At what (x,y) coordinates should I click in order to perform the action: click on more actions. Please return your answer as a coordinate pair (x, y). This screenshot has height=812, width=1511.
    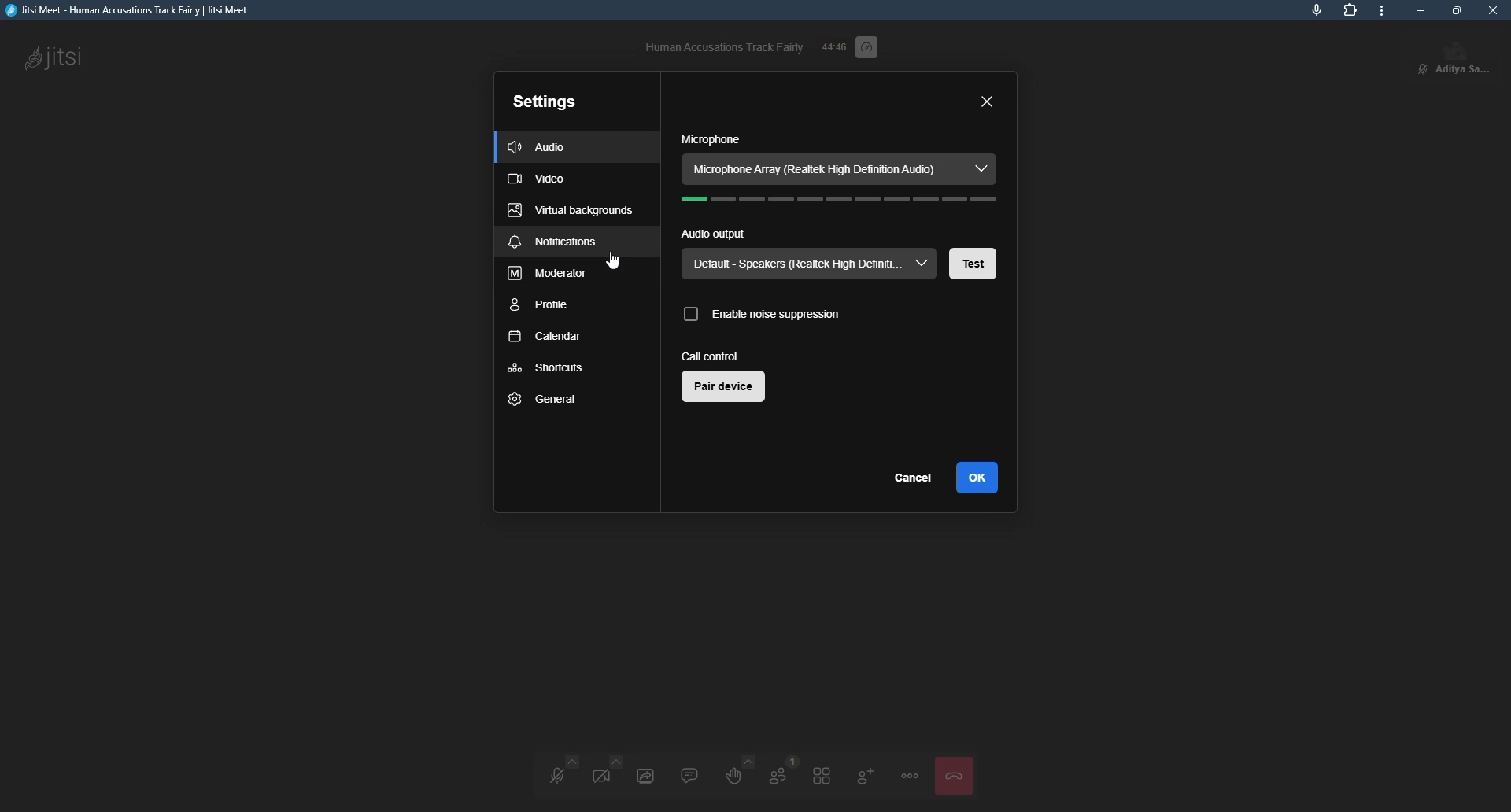
    Looking at the image, I should click on (909, 775).